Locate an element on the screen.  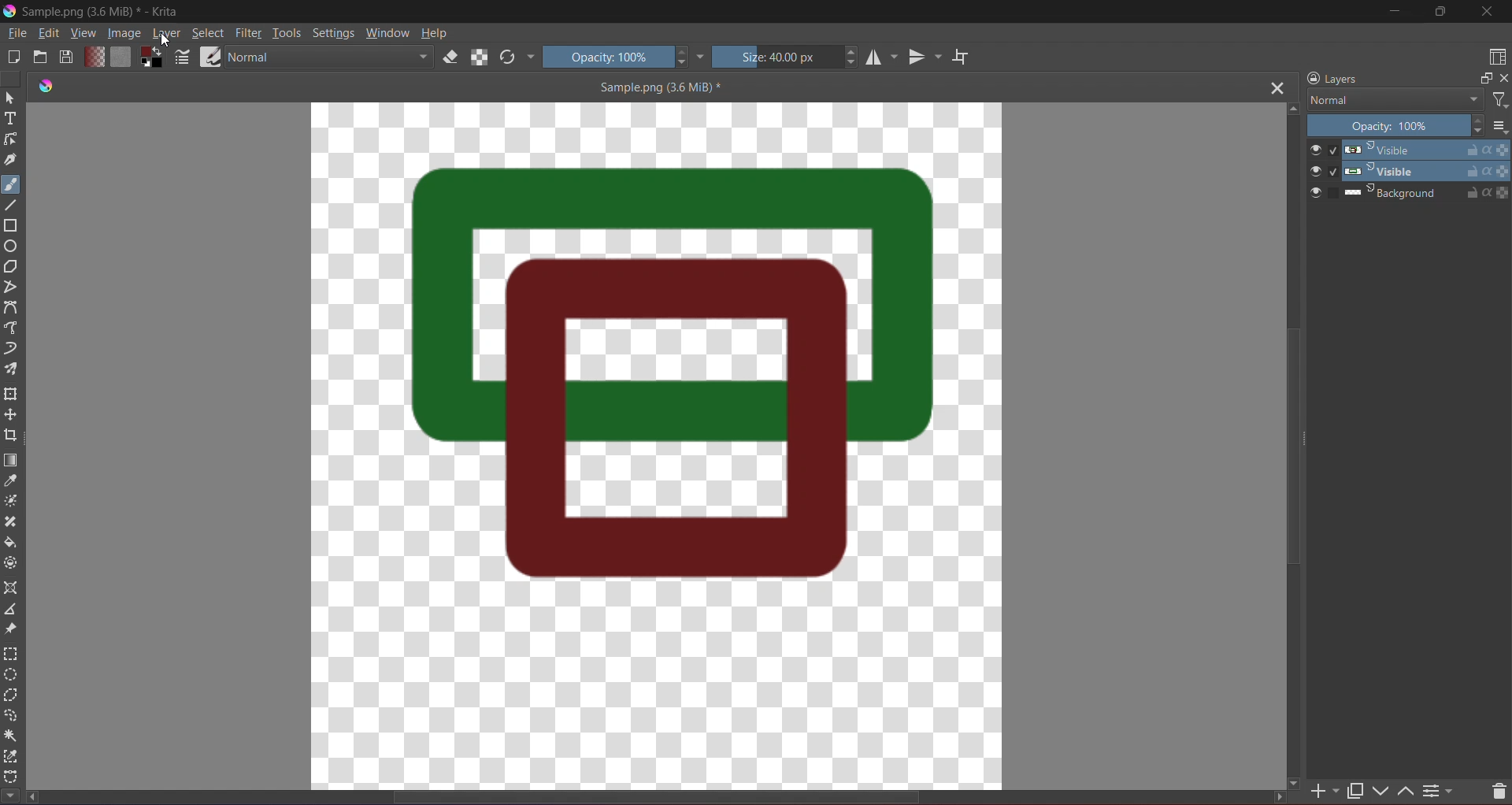
Filter is located at coordinates (249, 33).